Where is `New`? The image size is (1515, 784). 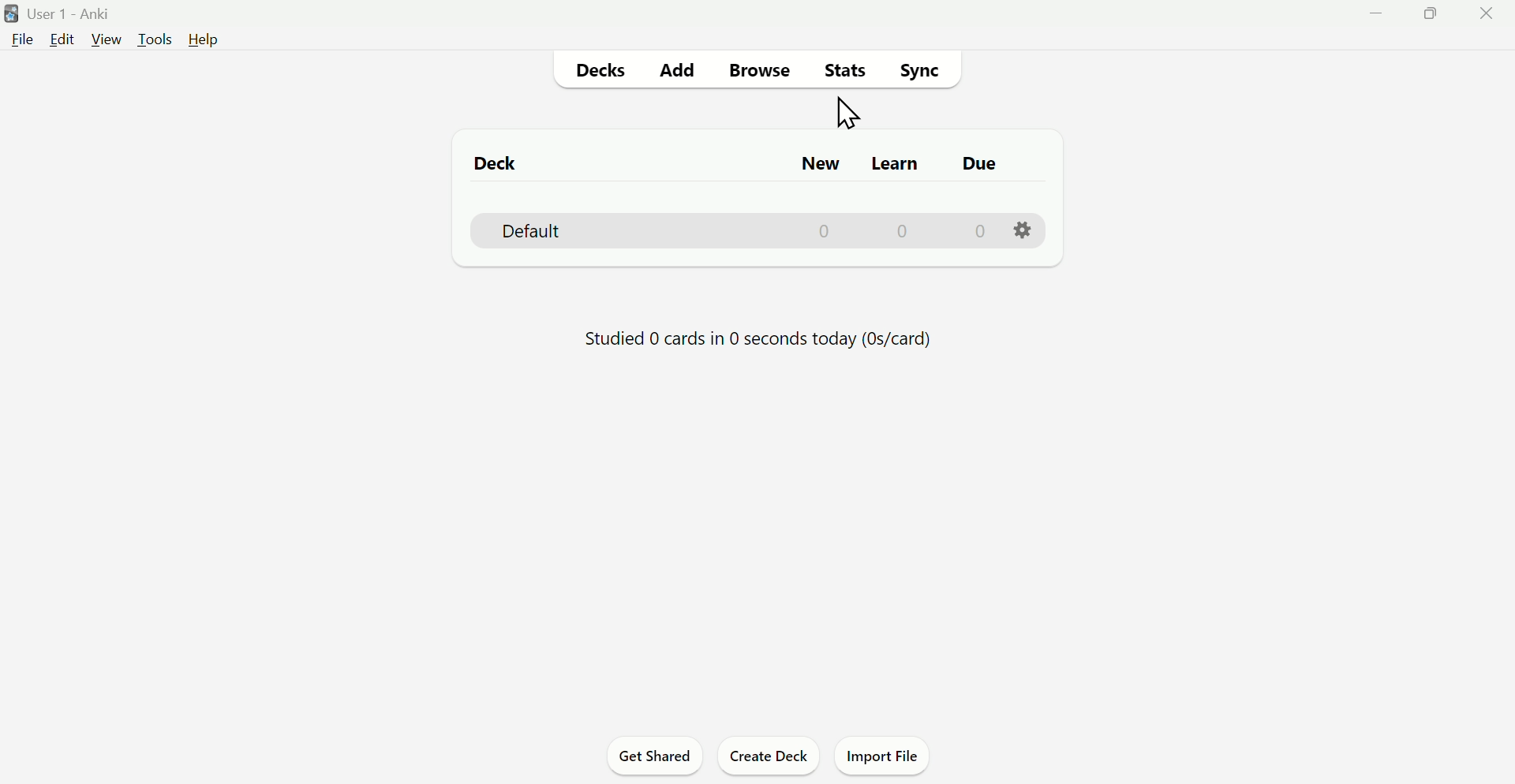 New is located at coordinates (824, 163).